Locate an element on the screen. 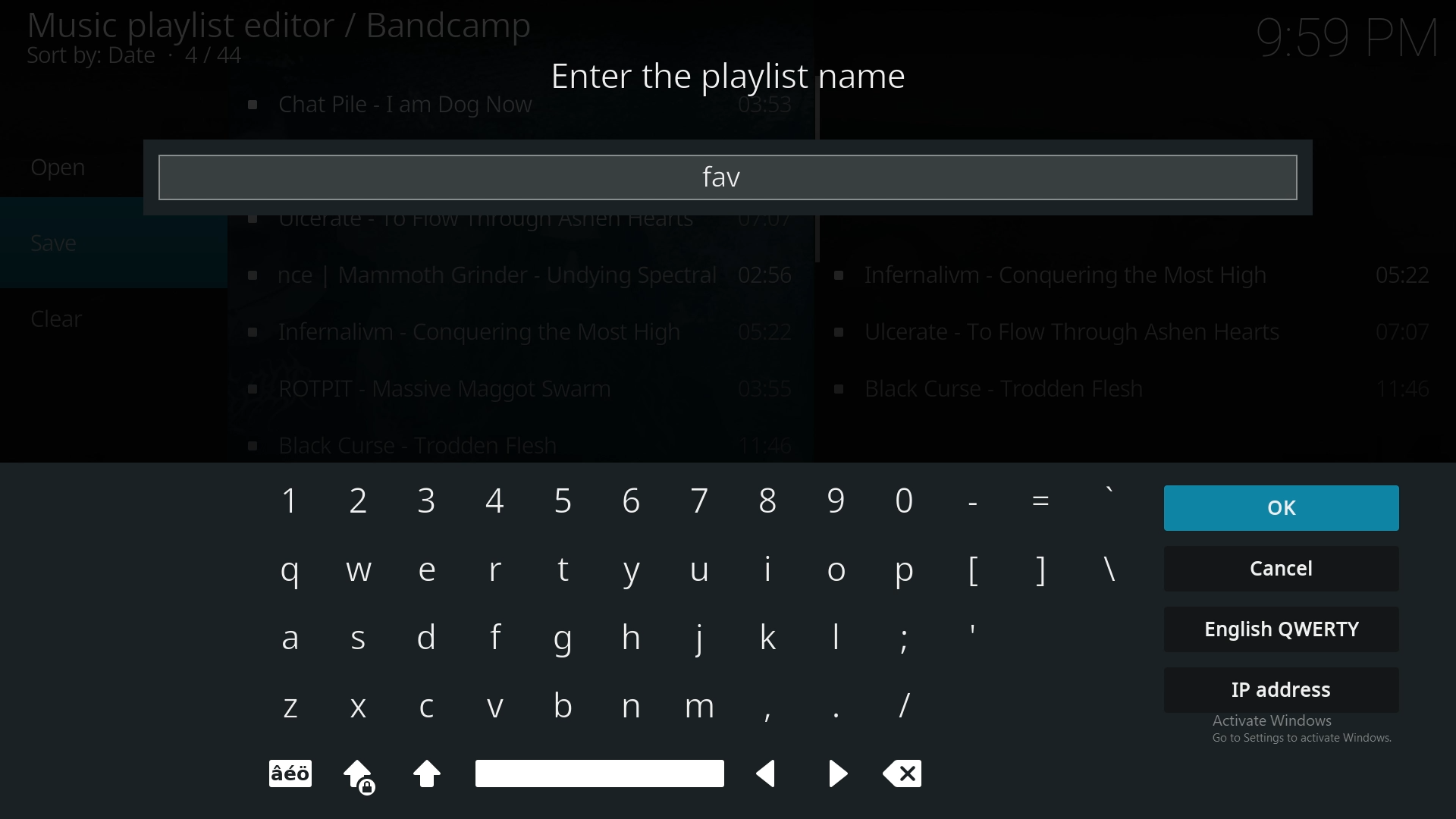 The height and width of the screenshot is (819, 1456). keyboard input is located at coordinates (498, 709).